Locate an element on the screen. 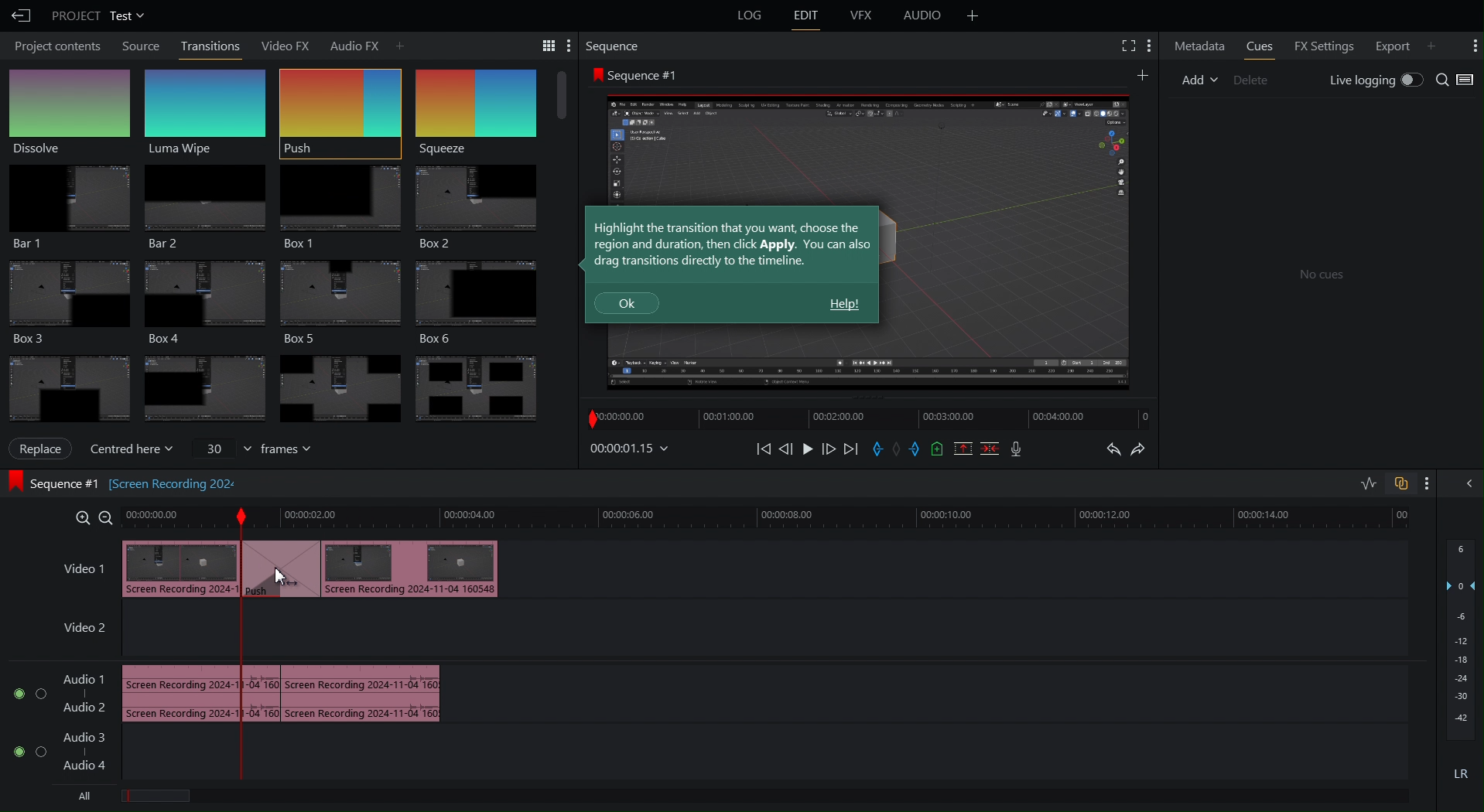  Sequence is located at coordinates (614, 46).